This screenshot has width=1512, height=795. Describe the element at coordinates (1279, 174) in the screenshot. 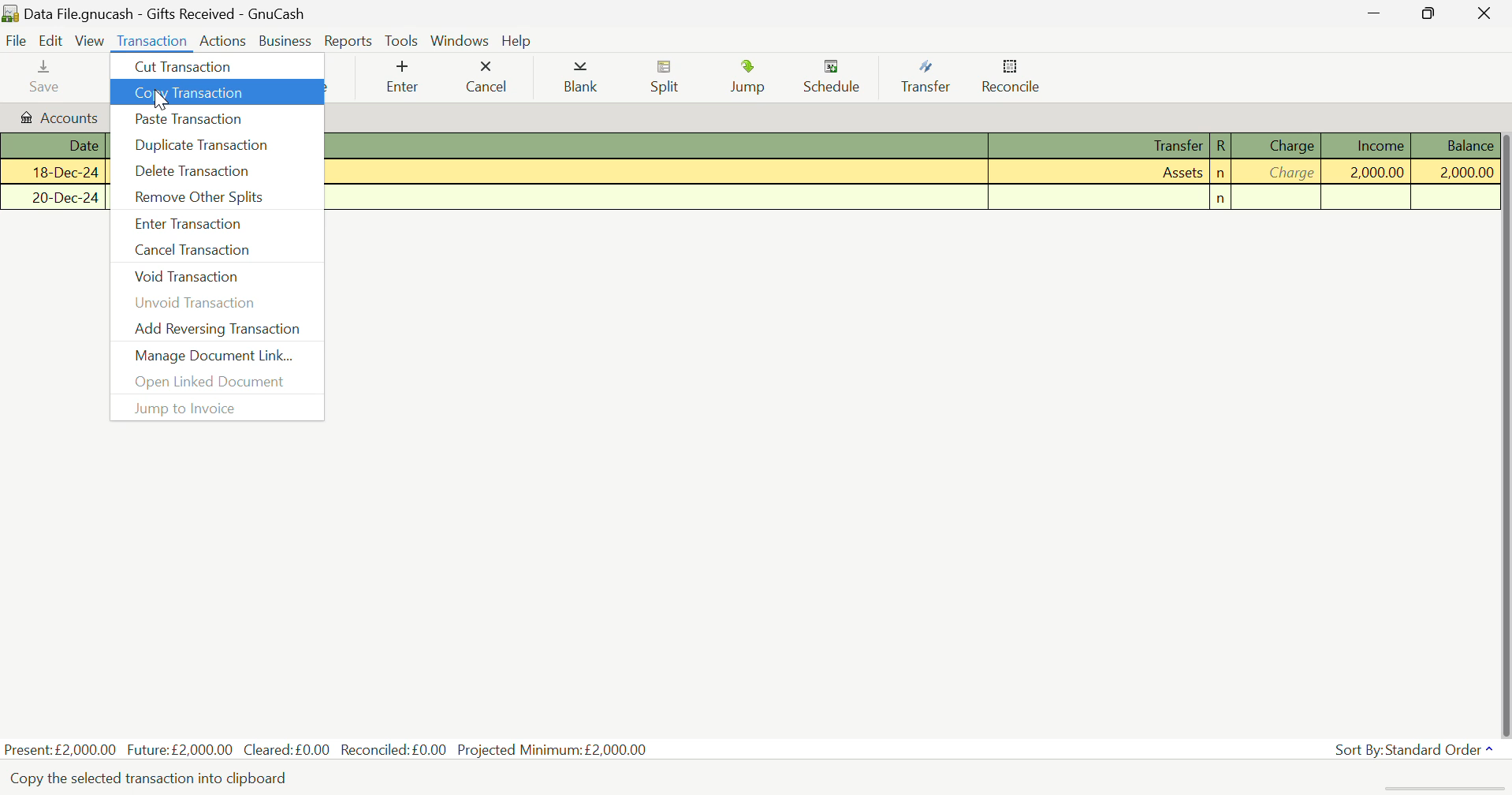

I see `Charge` at that location.